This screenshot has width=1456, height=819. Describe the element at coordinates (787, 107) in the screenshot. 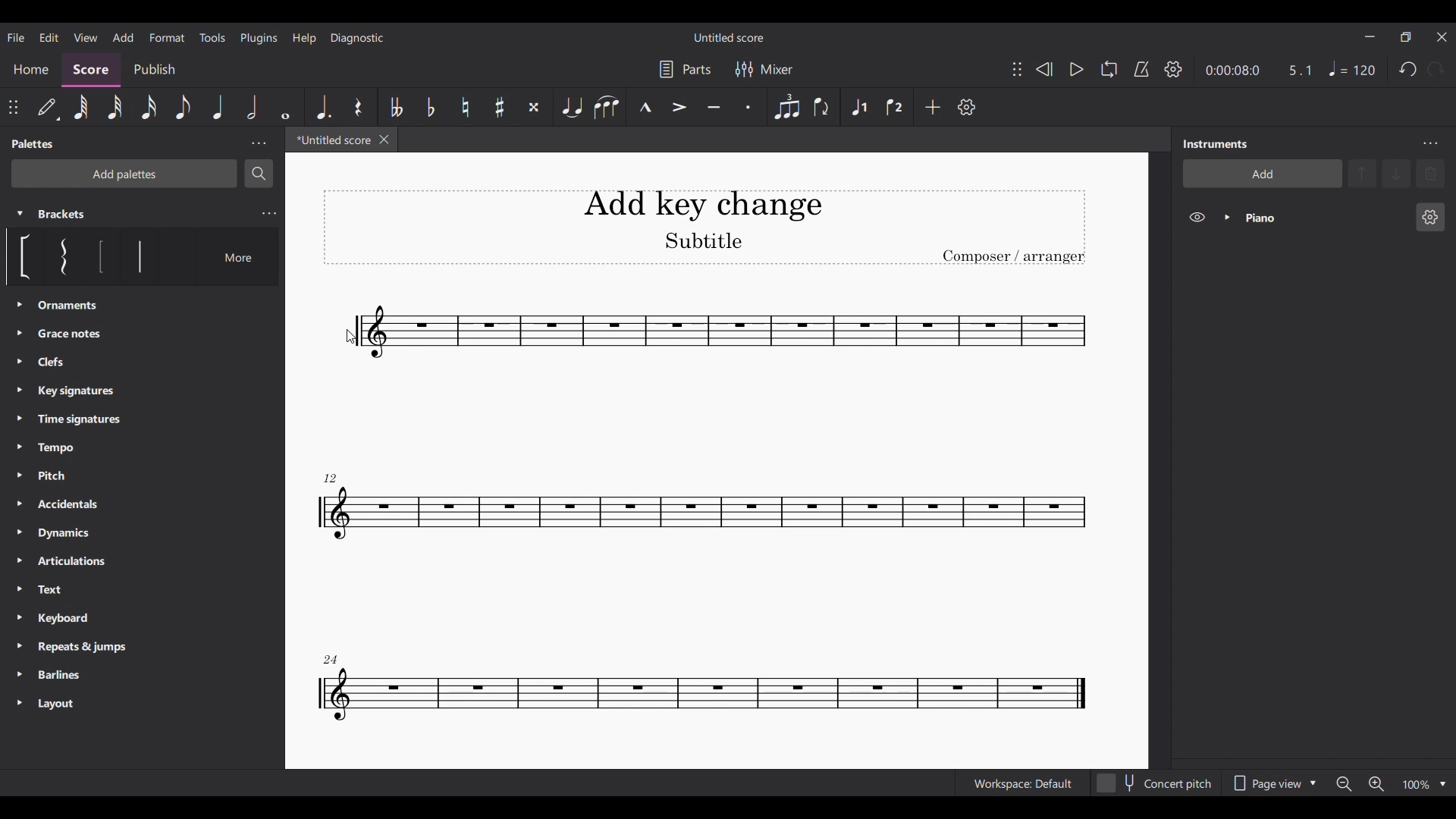

I see `Tuplet` at that location.